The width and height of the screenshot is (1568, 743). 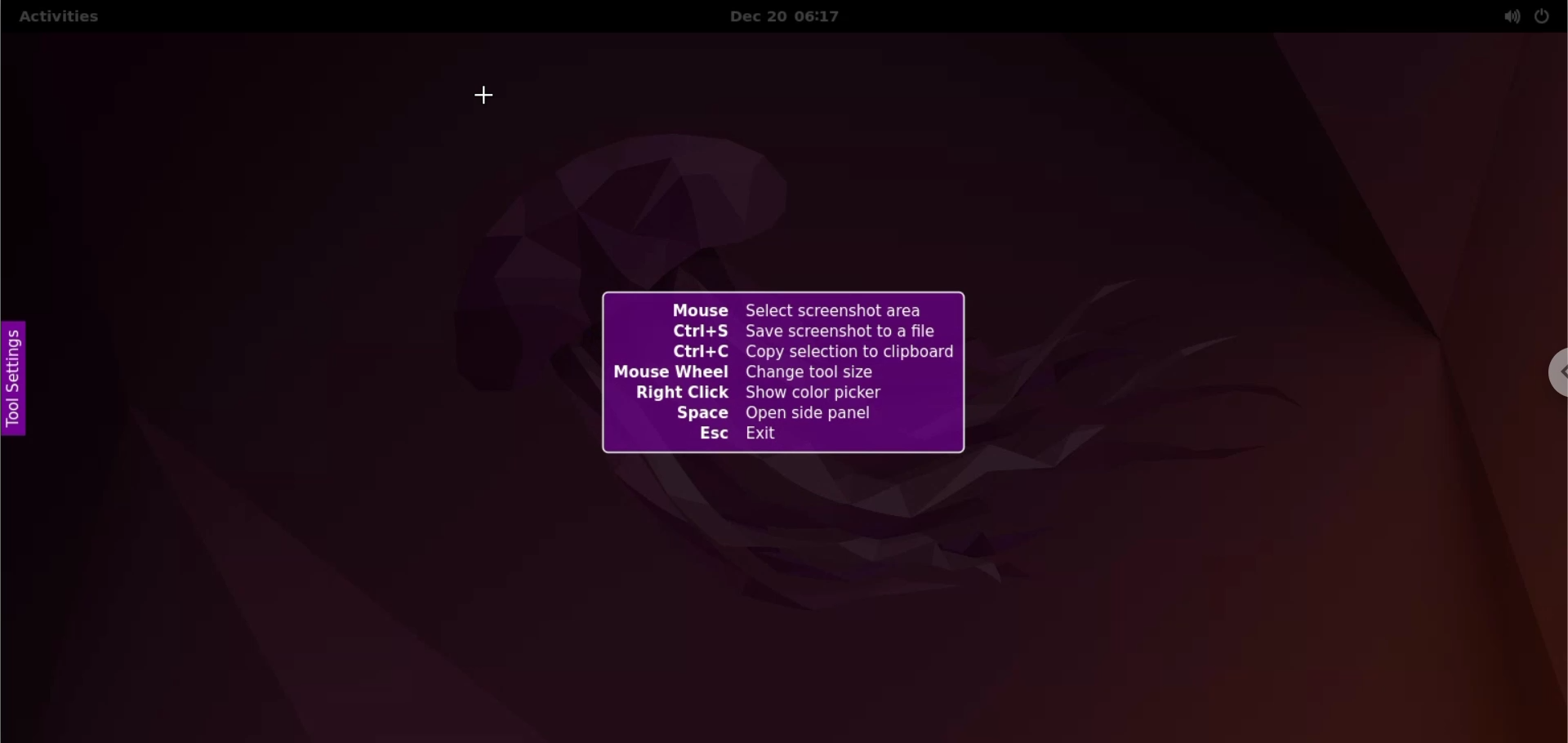 What do you see at coordinates (58, 19) in the screenshot?
I see `activities` at bounding box center [58, 19].